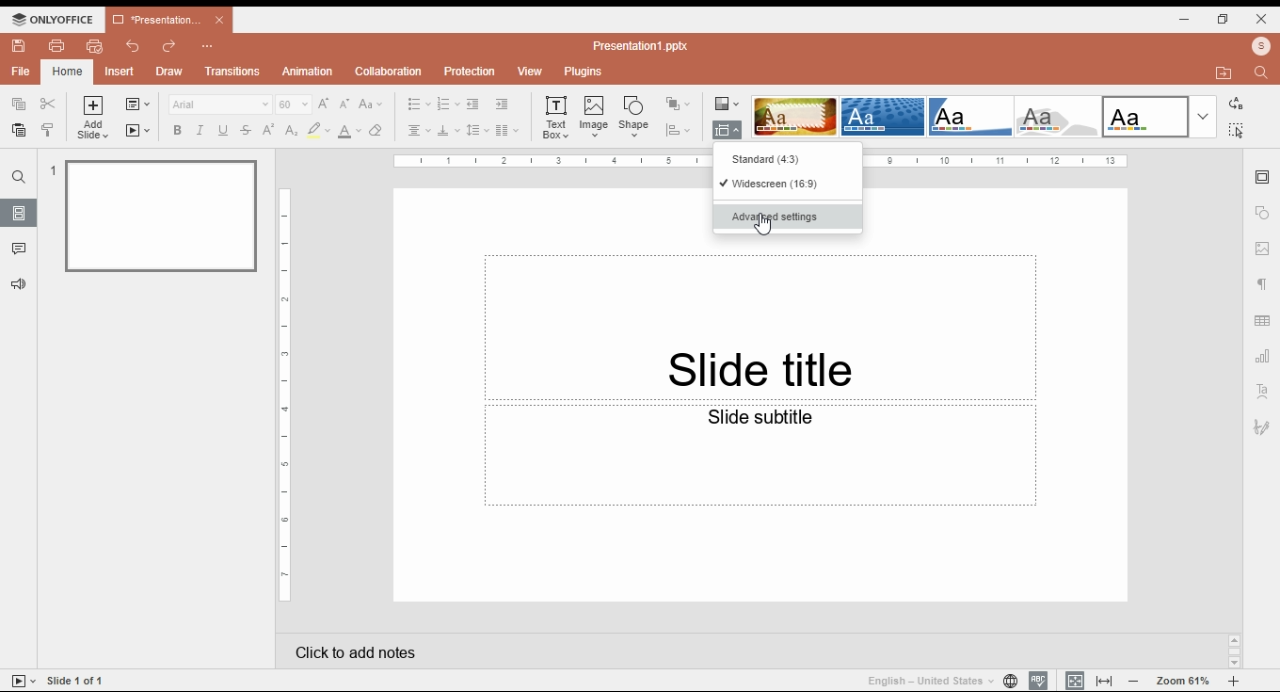 This screenshot has height=692, width=1280. Describe the element at coordinates (787, 186) in the screenshot. I see `widescreen (16:9)` at that location.